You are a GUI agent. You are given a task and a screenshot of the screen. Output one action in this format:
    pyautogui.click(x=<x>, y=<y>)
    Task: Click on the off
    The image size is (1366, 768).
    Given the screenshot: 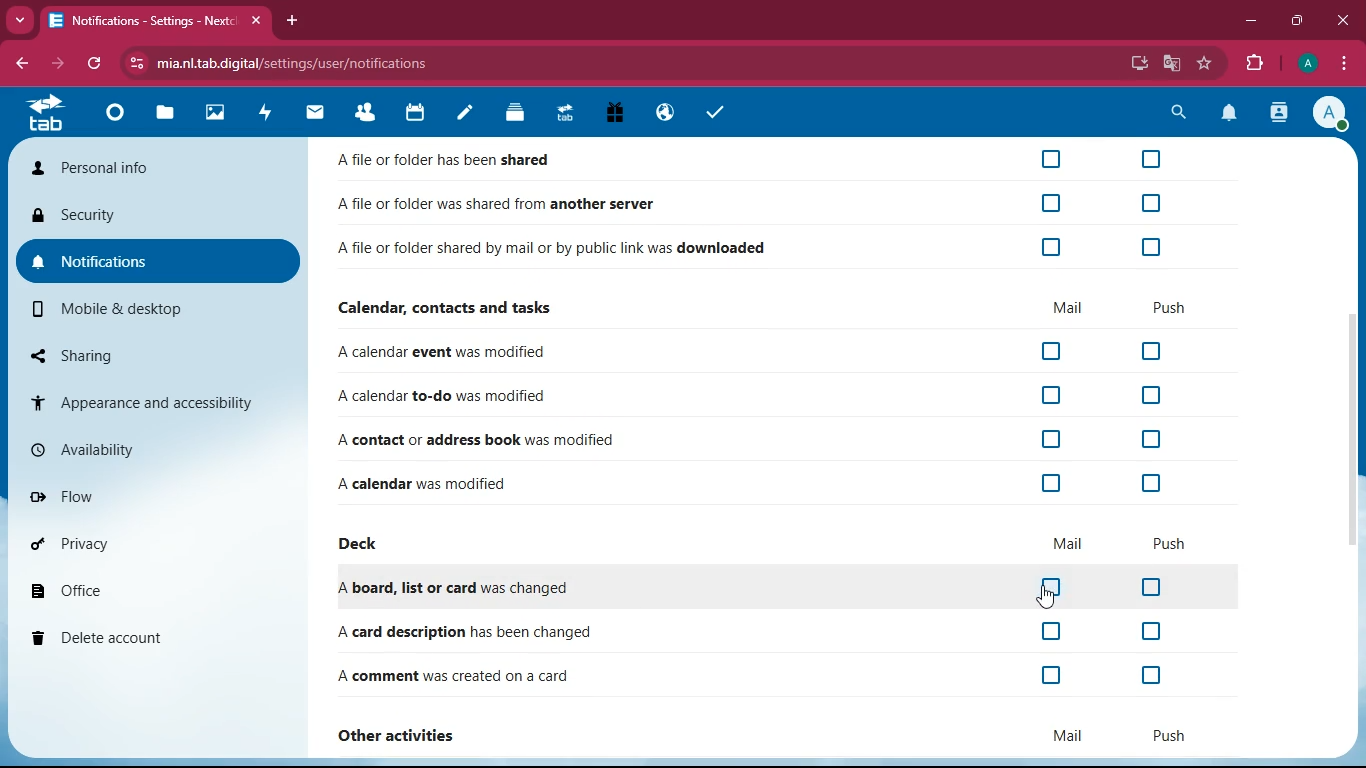 What is the action you would take?
    pyautogui.click(x=1053, y=393)
    